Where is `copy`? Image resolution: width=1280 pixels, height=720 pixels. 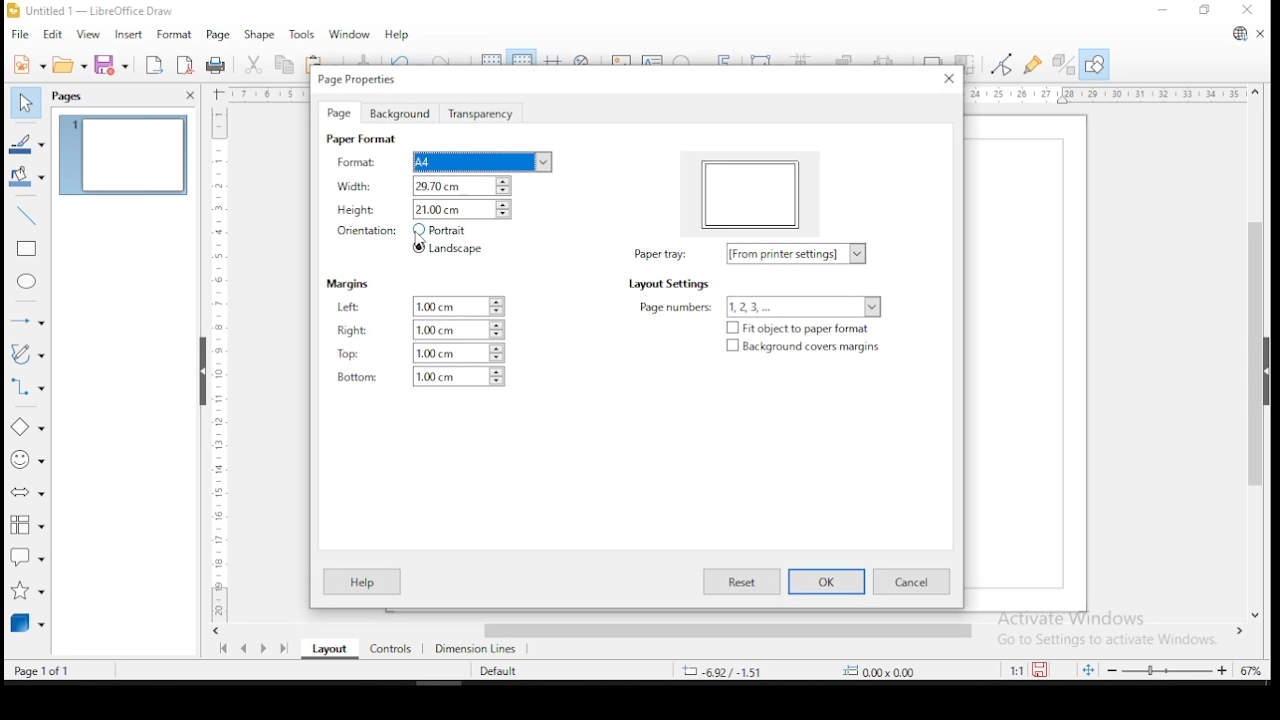 copy is located at coordinates (282, 67).